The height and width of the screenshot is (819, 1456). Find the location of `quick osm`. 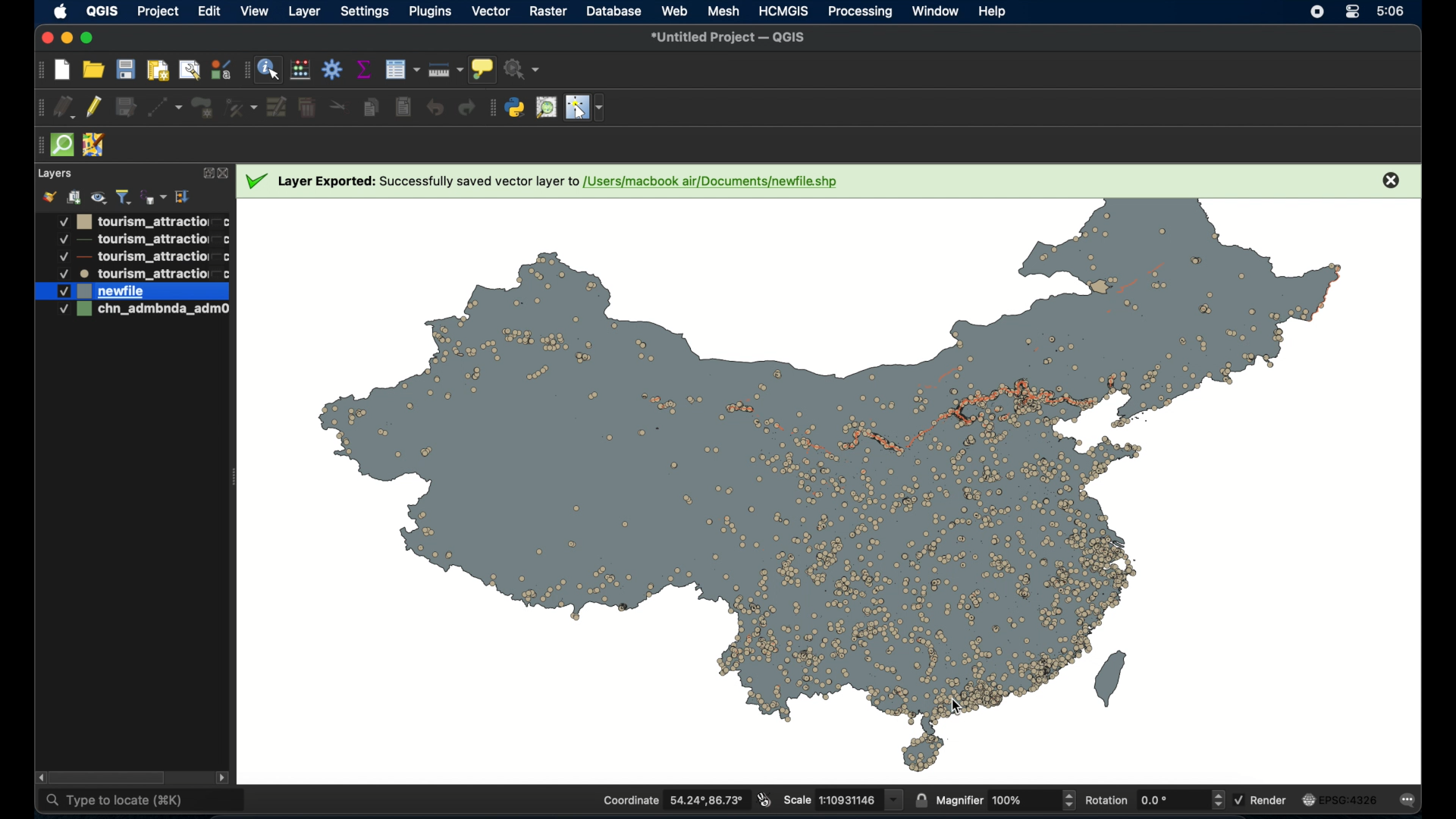

quick osm is located at coordinates (61, 146).